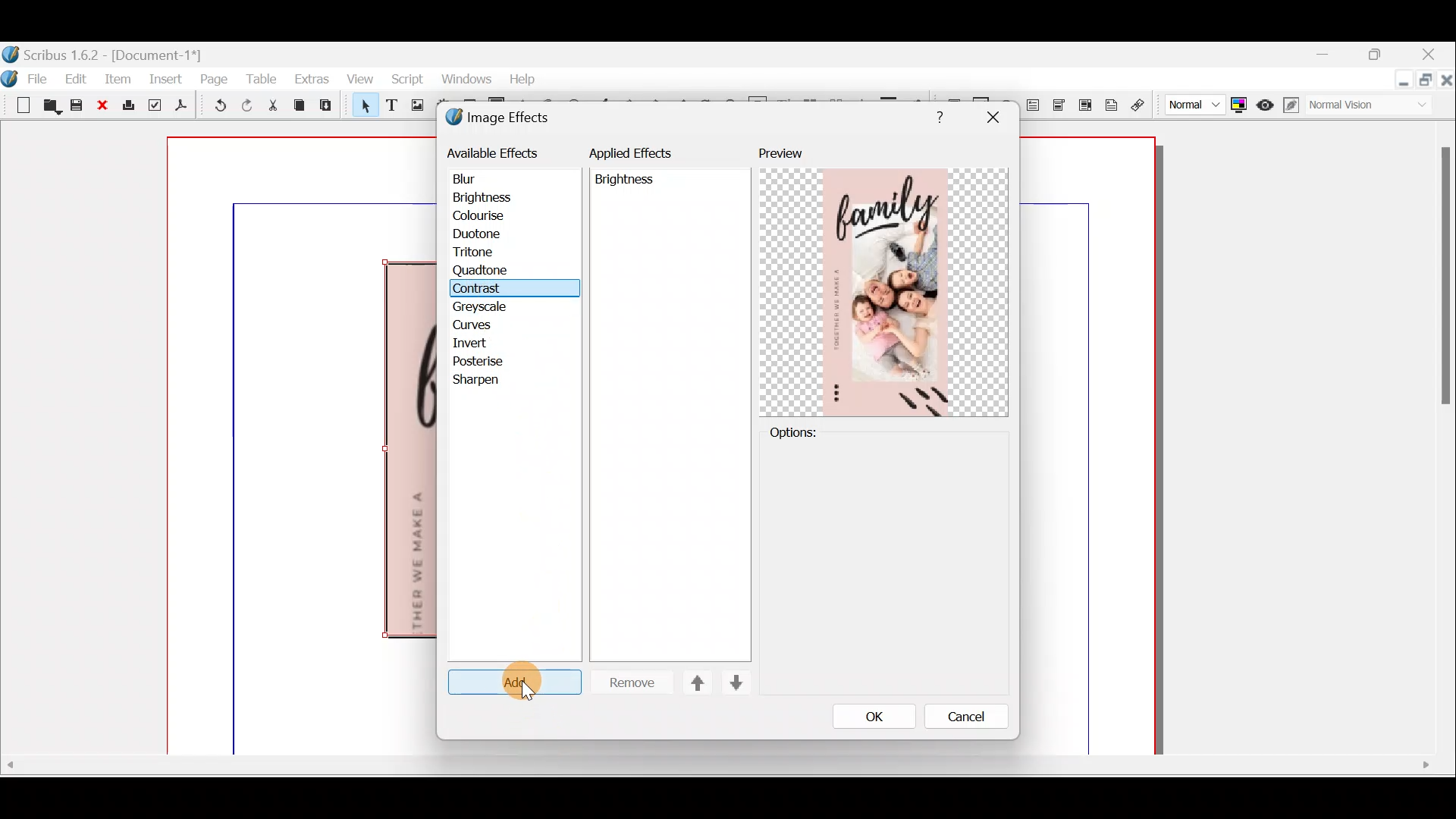 This screenshot has height=819, width=1456. I want to click on Preflight verifier, so click(153, 108).